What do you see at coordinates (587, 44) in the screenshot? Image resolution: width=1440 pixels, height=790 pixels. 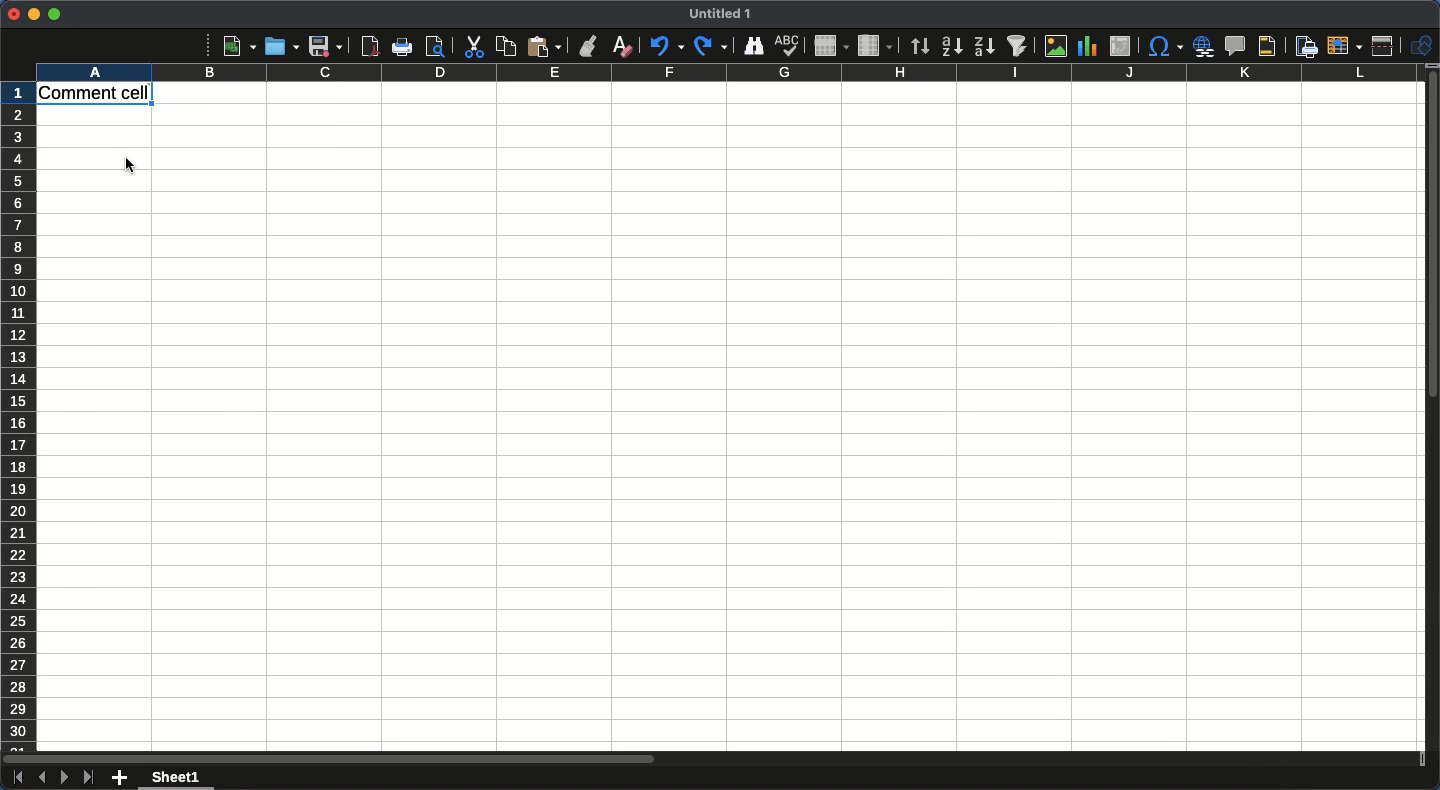 I see `Clone formatting` at bounding box center [587, 44].